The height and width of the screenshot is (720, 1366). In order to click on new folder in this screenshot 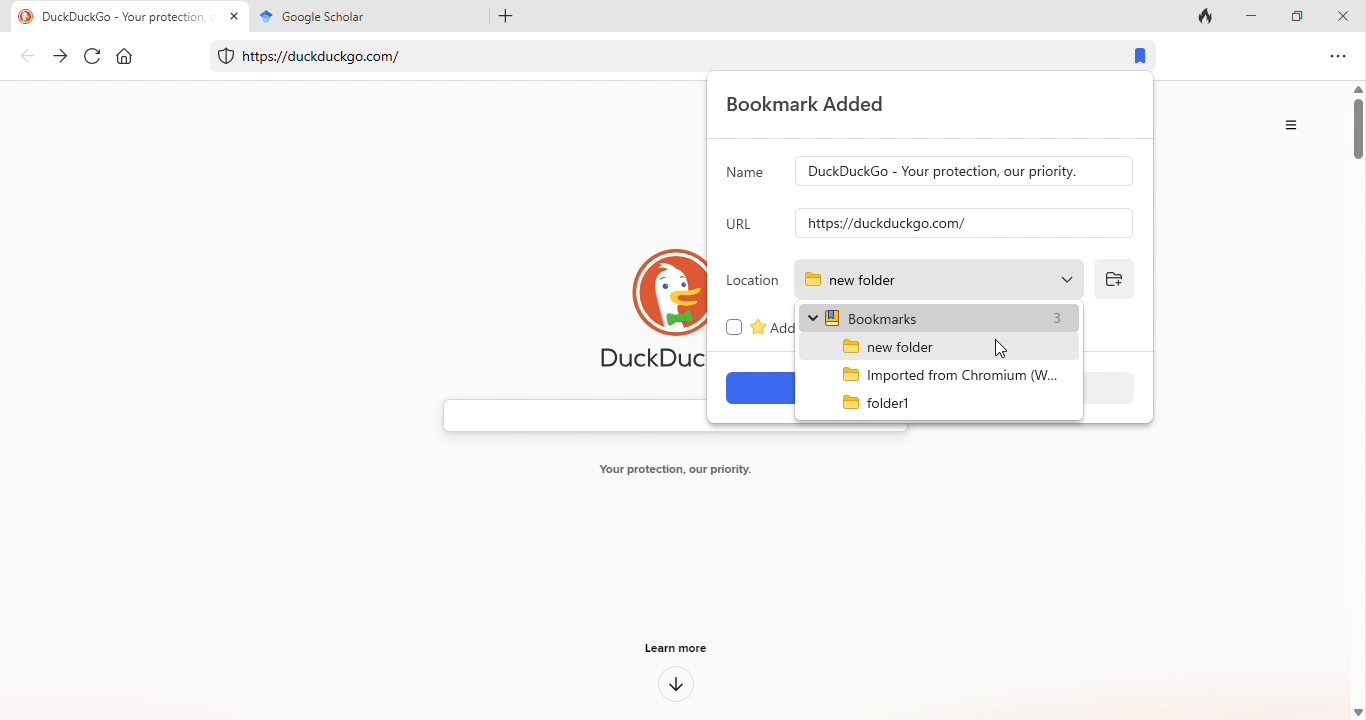, I will do `click(936, 279)`.